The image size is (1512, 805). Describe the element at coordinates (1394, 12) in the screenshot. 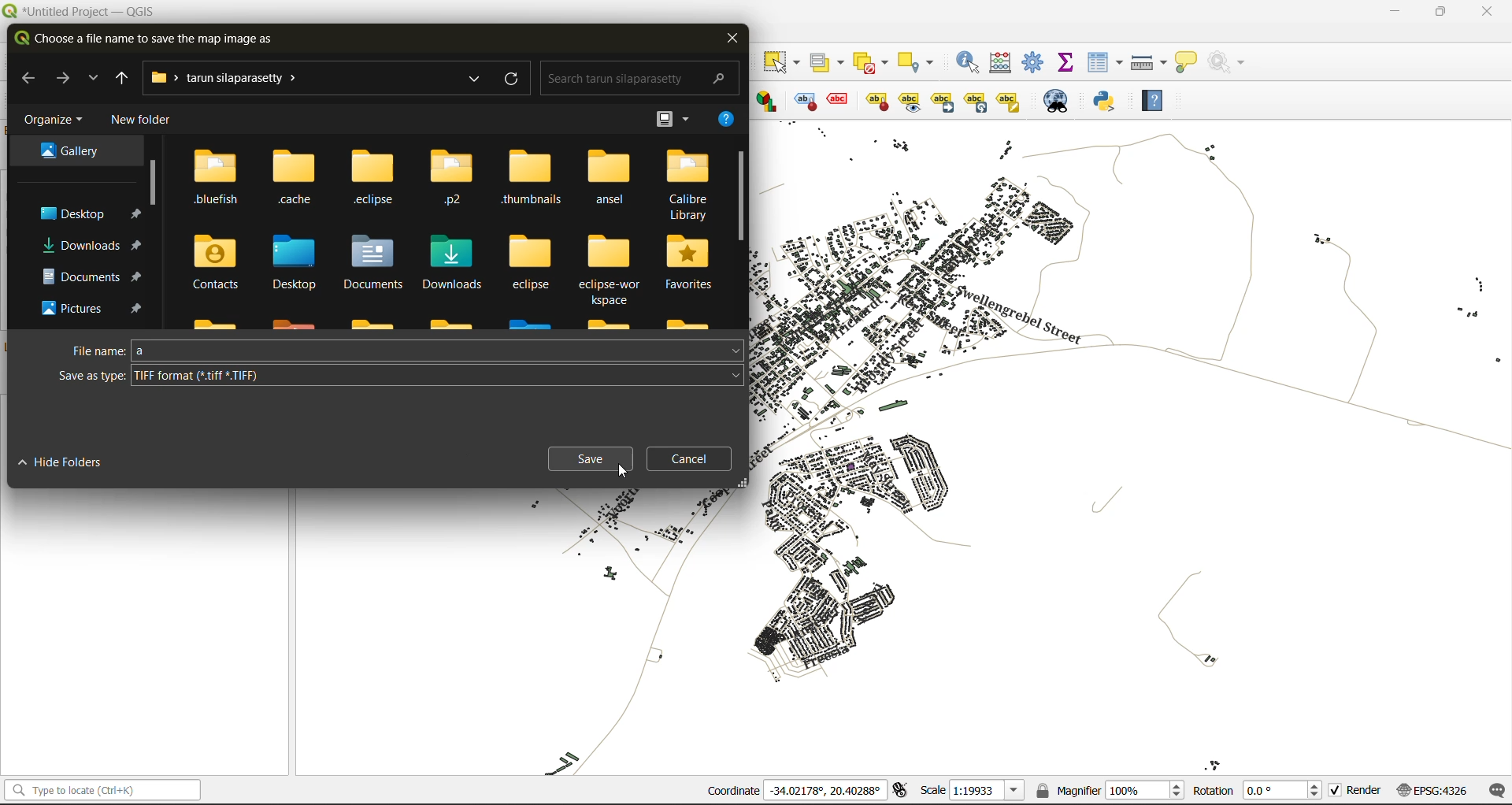

I see `minimize` at that location.